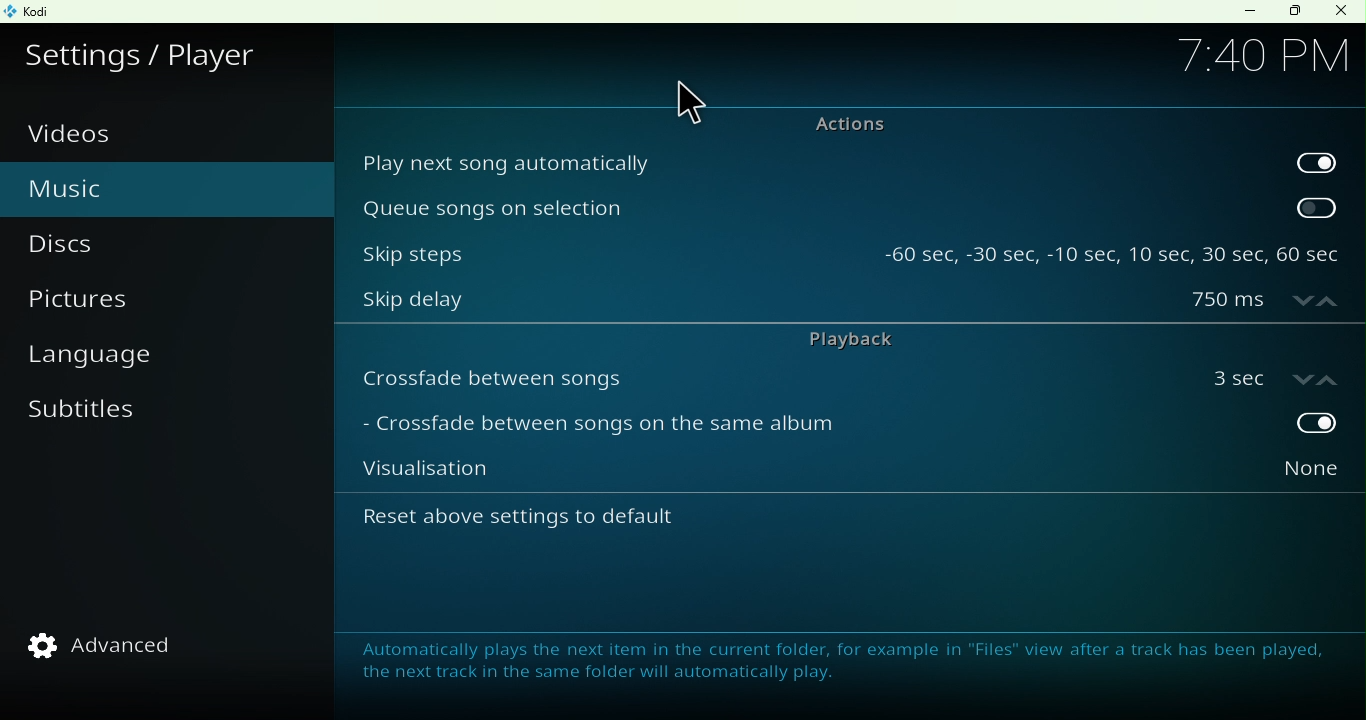  I want to click on Note, so click(834, 660).